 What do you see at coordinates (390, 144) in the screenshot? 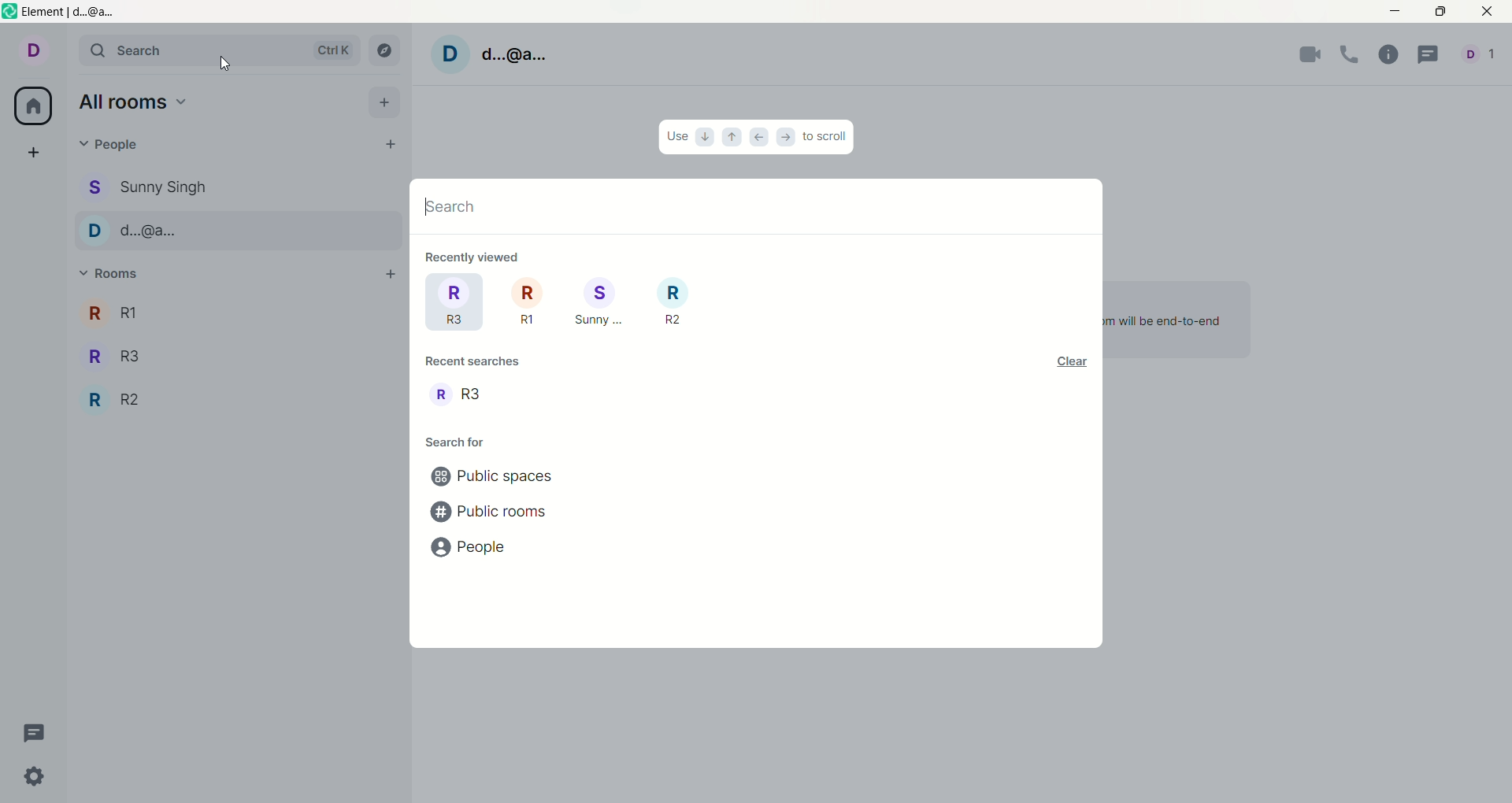
I see `start chat` at bounding box center [390, 144].